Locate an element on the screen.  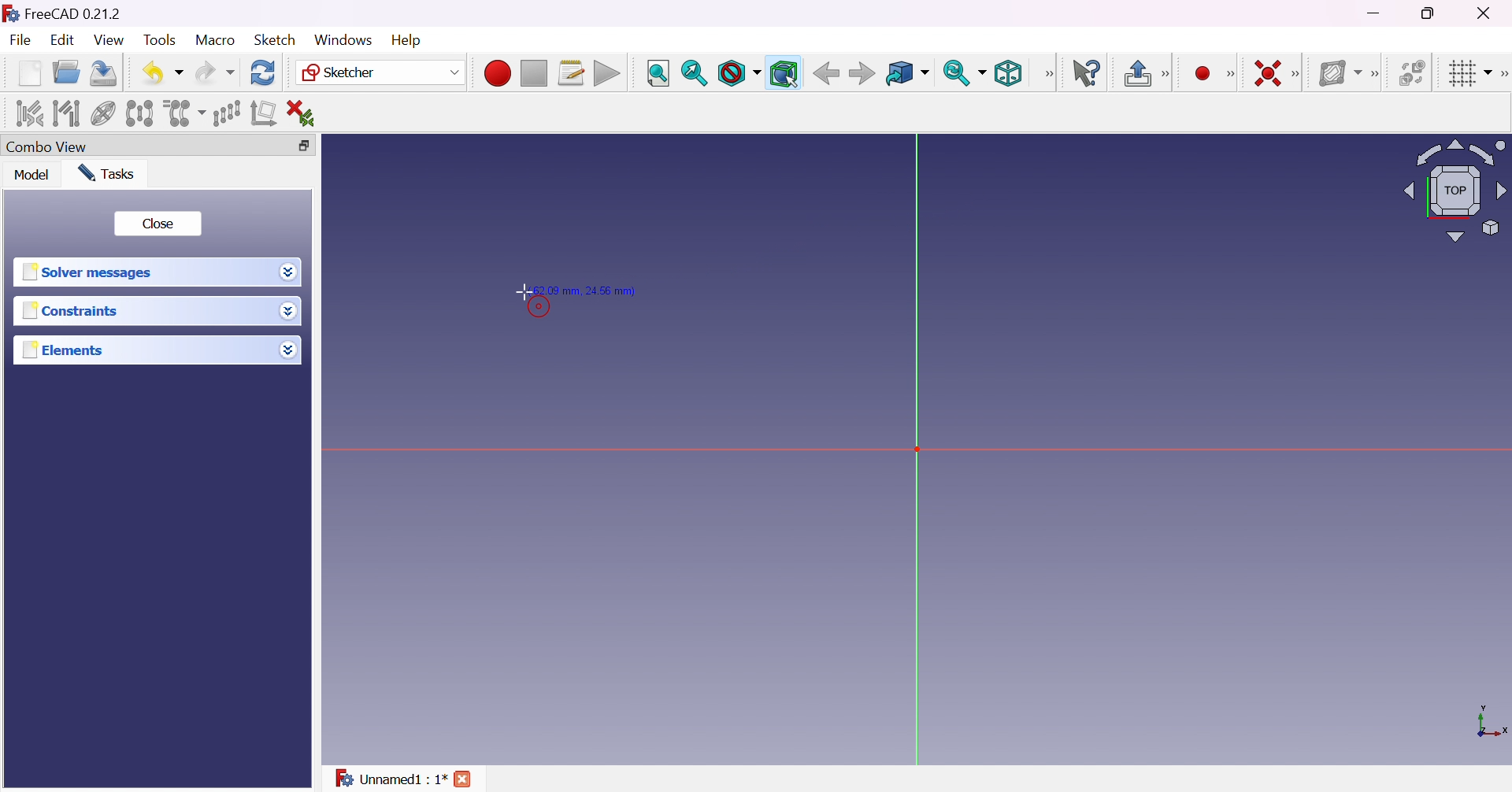
Constrain coincident is located at coordinates (1266, 73).